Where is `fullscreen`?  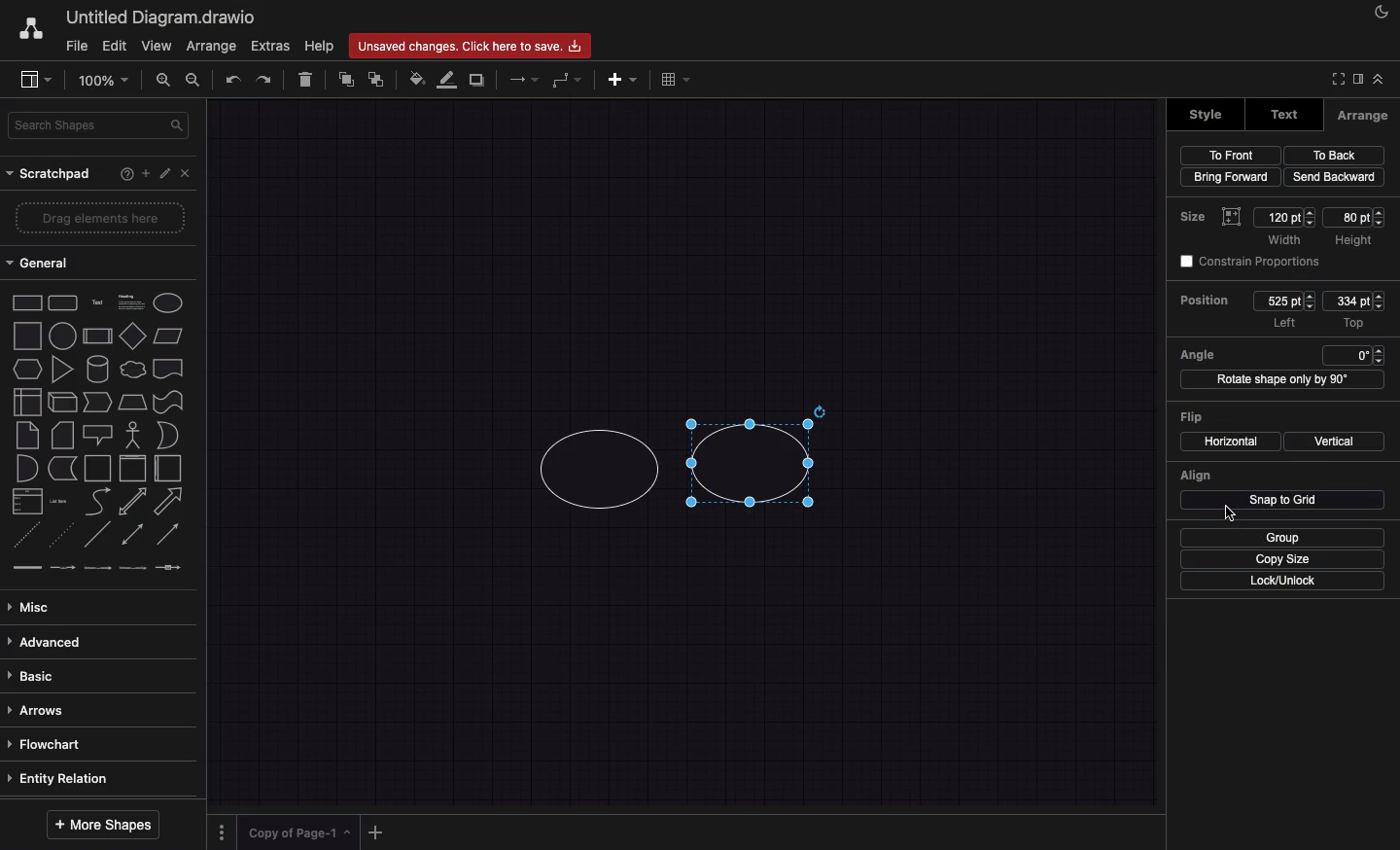 fullscreen is located at coordinates (1338, 76).